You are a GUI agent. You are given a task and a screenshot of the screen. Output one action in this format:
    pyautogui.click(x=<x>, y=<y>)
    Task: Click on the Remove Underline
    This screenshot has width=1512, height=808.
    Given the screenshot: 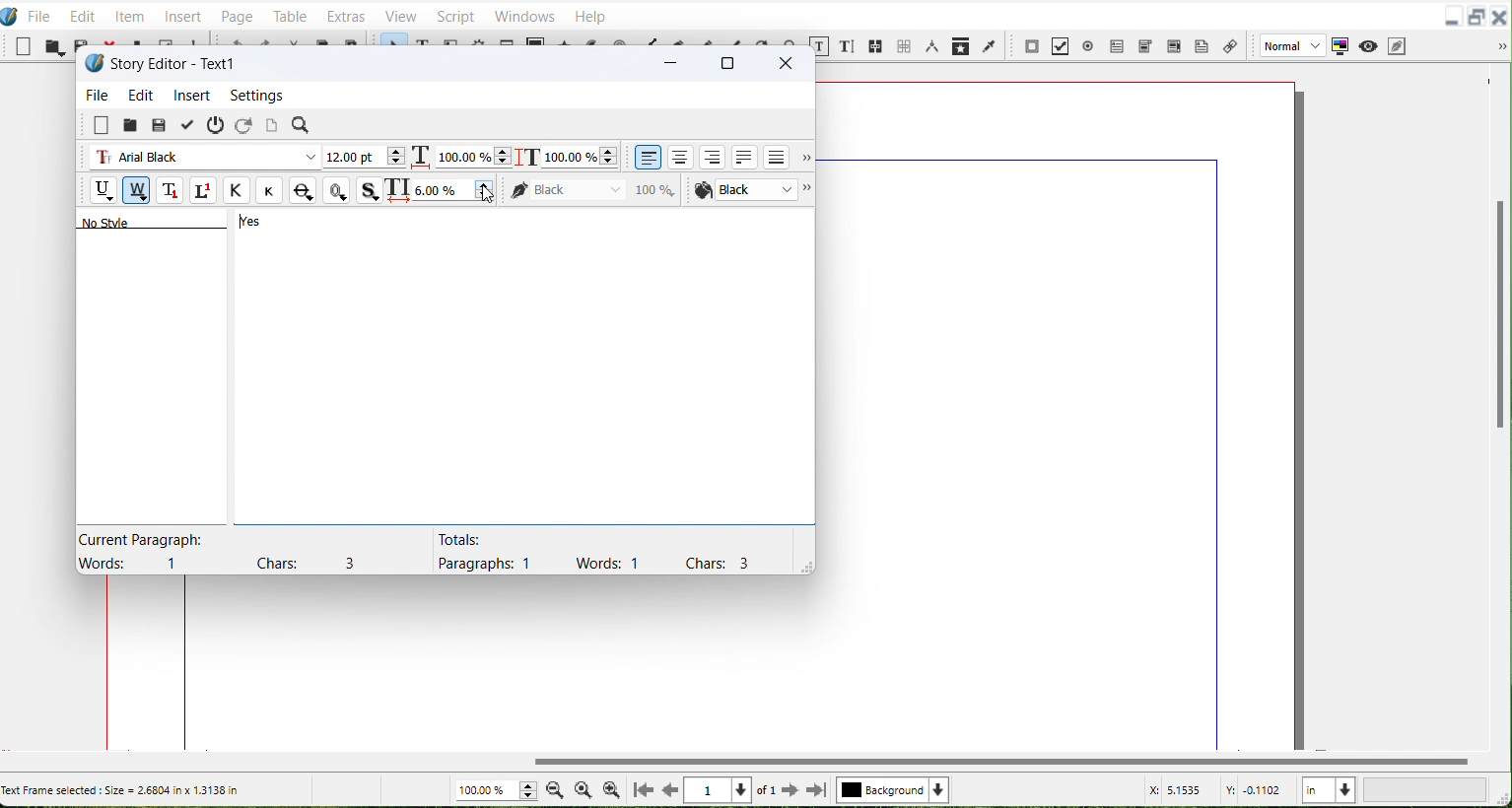 What is the action you would take?
    pyautogui.click(x=136, y=190)
    